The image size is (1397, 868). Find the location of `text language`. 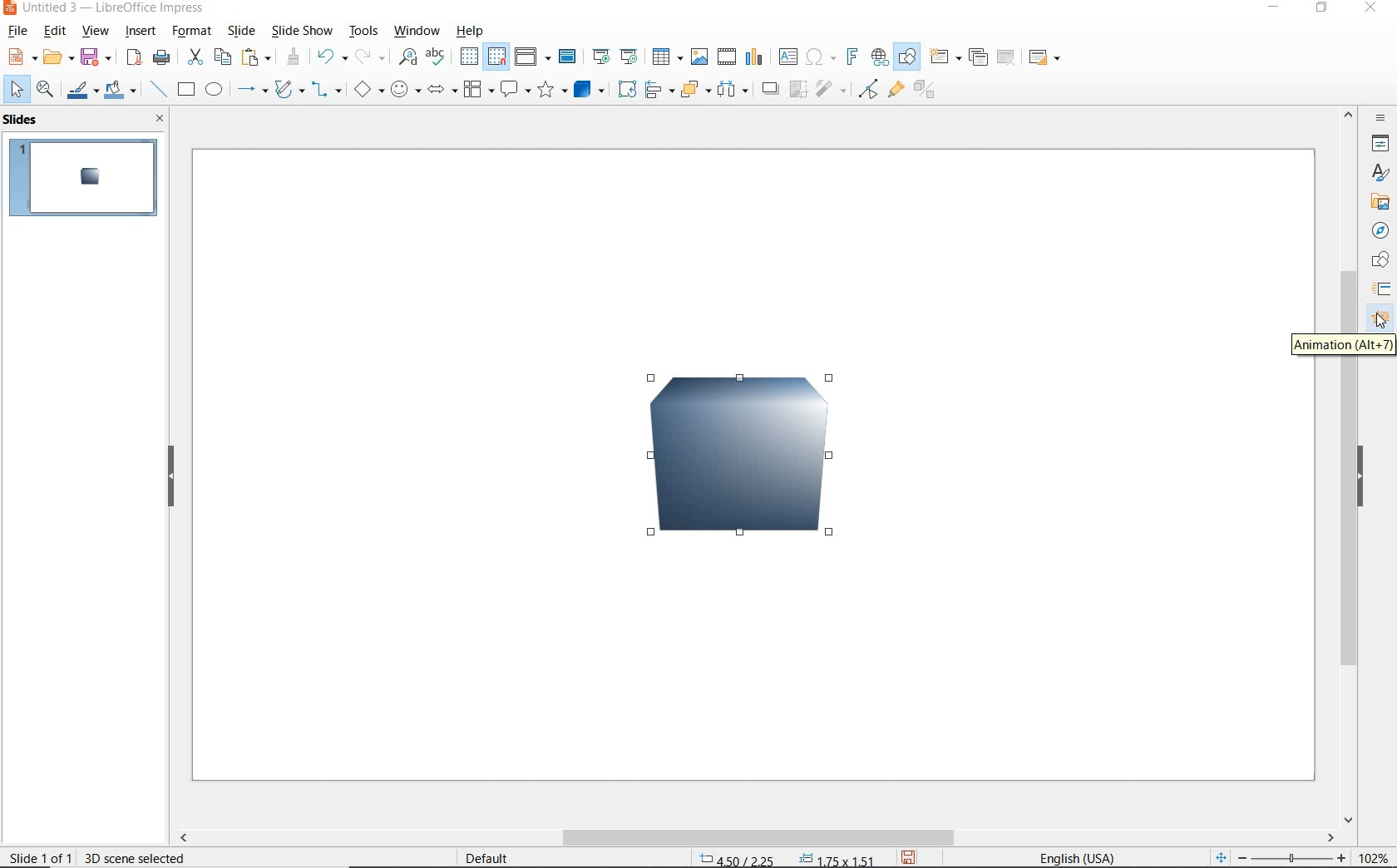

text language is located at coordinates (1079, 856).